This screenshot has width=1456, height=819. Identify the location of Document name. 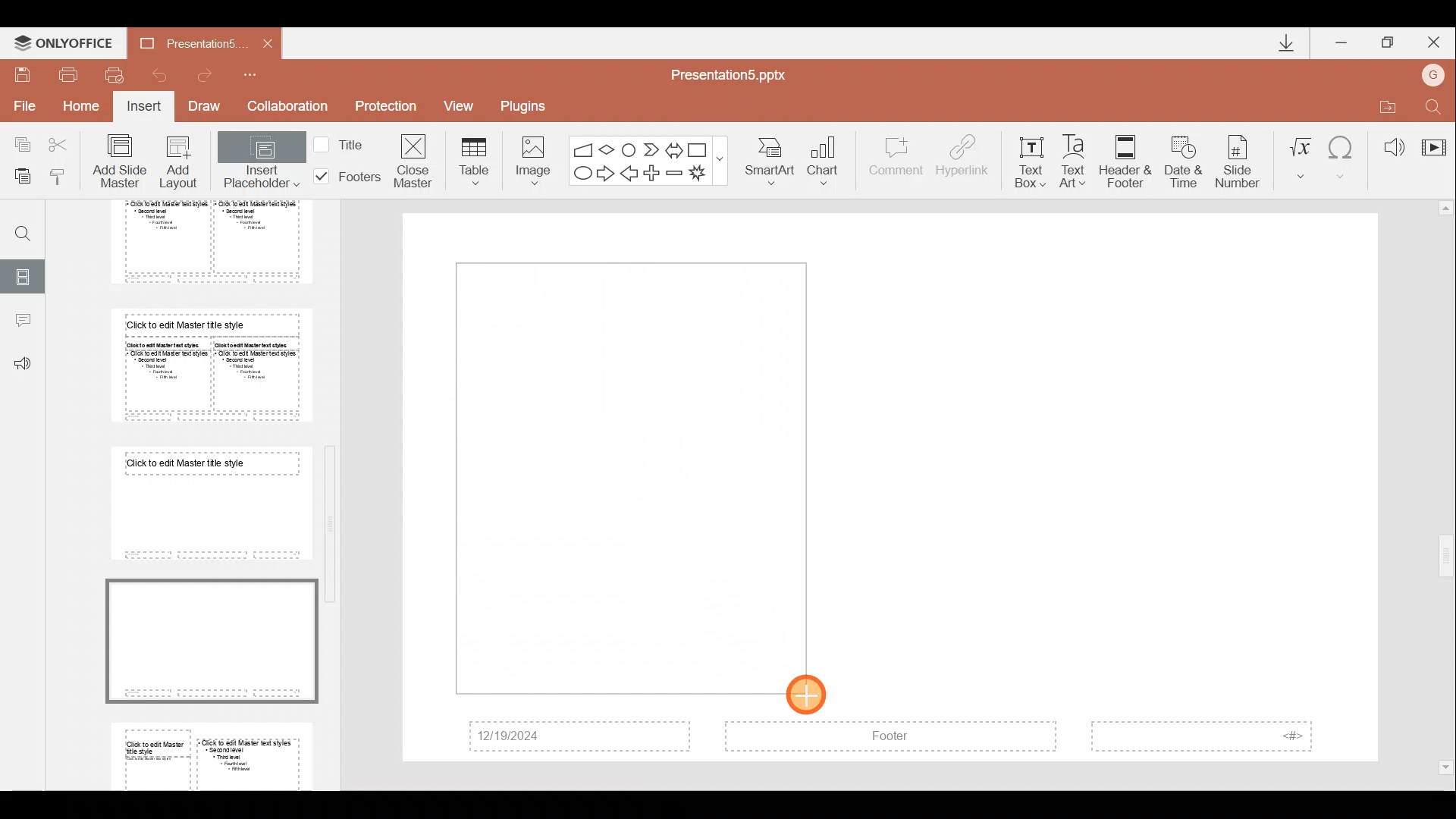
(181, 42).